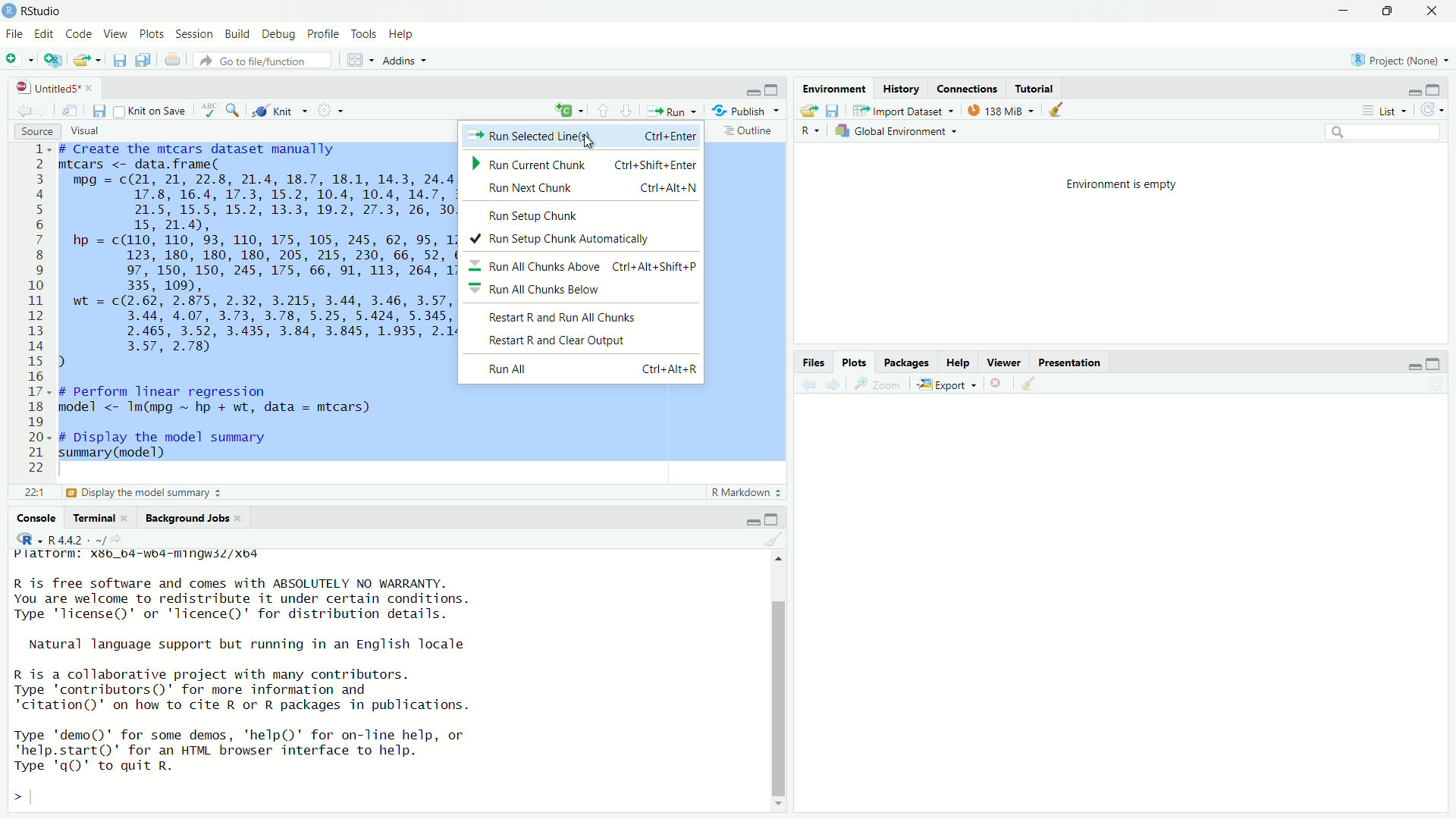 The image size is (1456, 819). I want to click on forward, so click(836, 385).